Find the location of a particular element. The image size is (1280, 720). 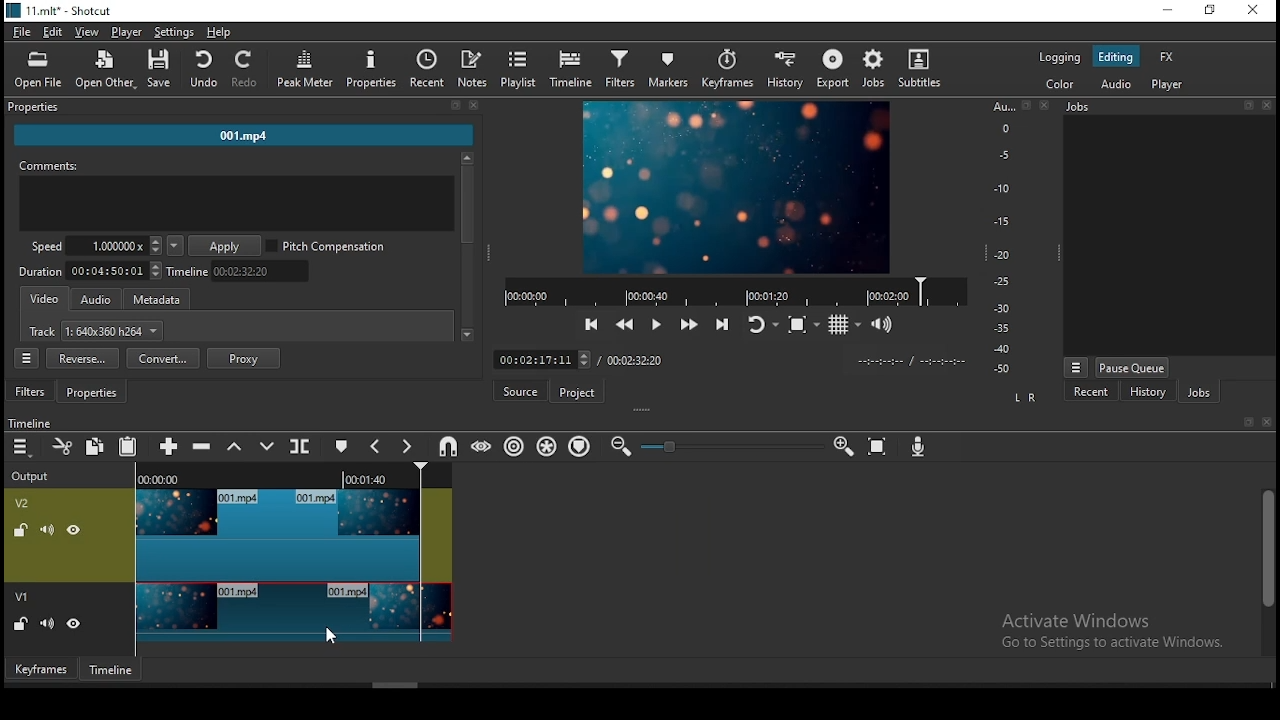

player is located at coordinates (131, 33).